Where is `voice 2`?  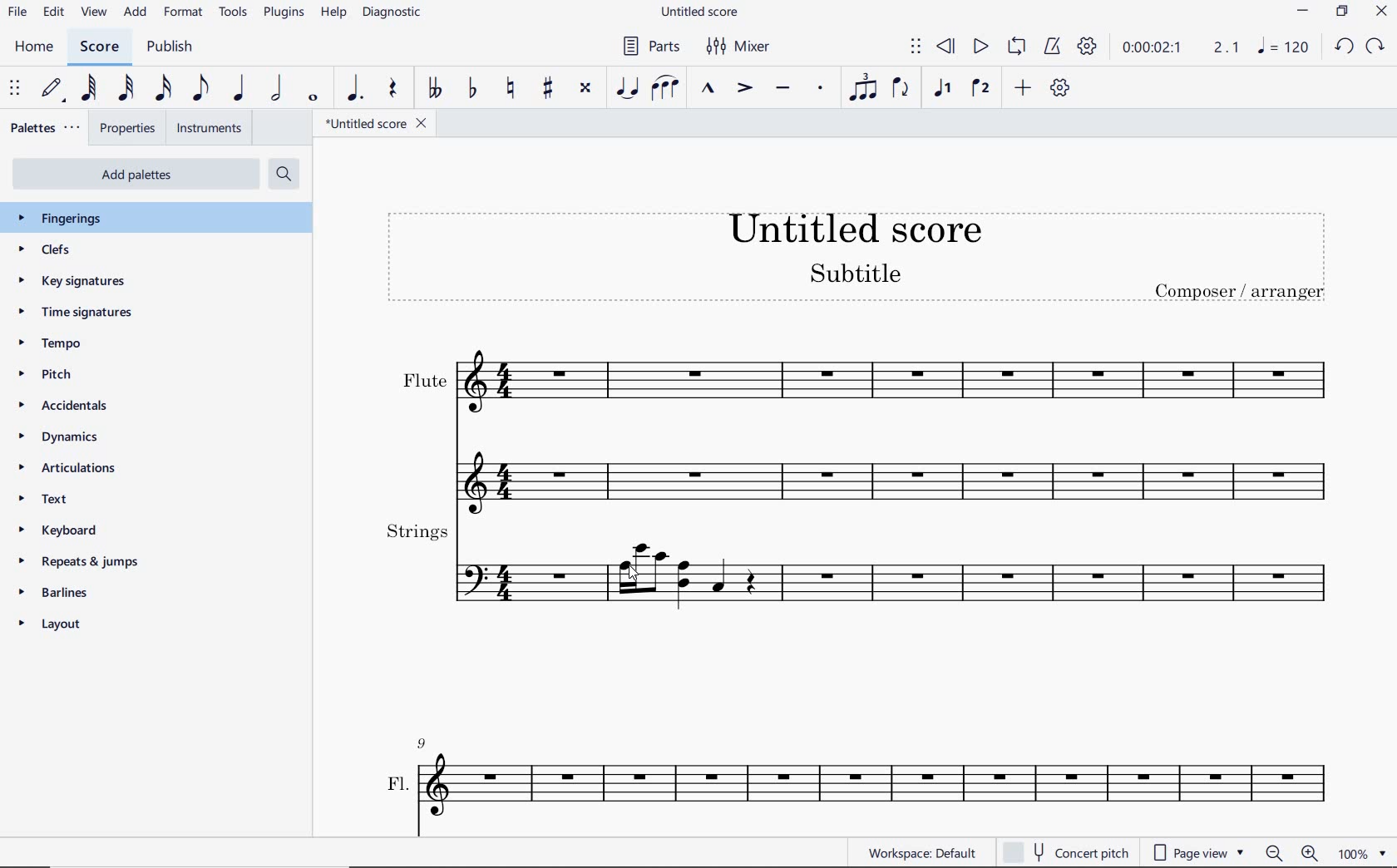 voice 2 is located at coordinates (980, 88).